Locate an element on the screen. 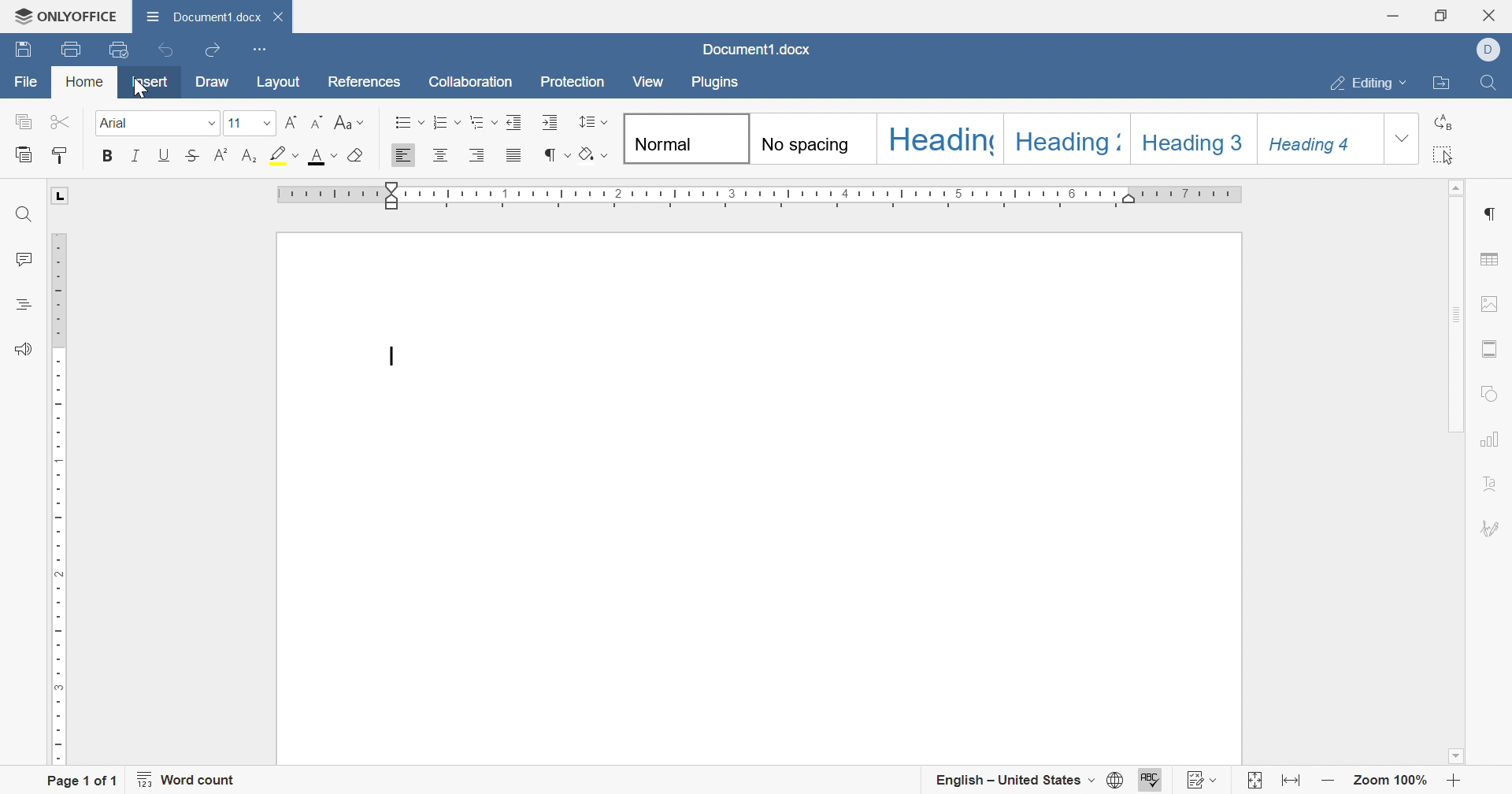 The height and width of the screenshot is (794, 1512). bullets is located at coordinates (408, 123).